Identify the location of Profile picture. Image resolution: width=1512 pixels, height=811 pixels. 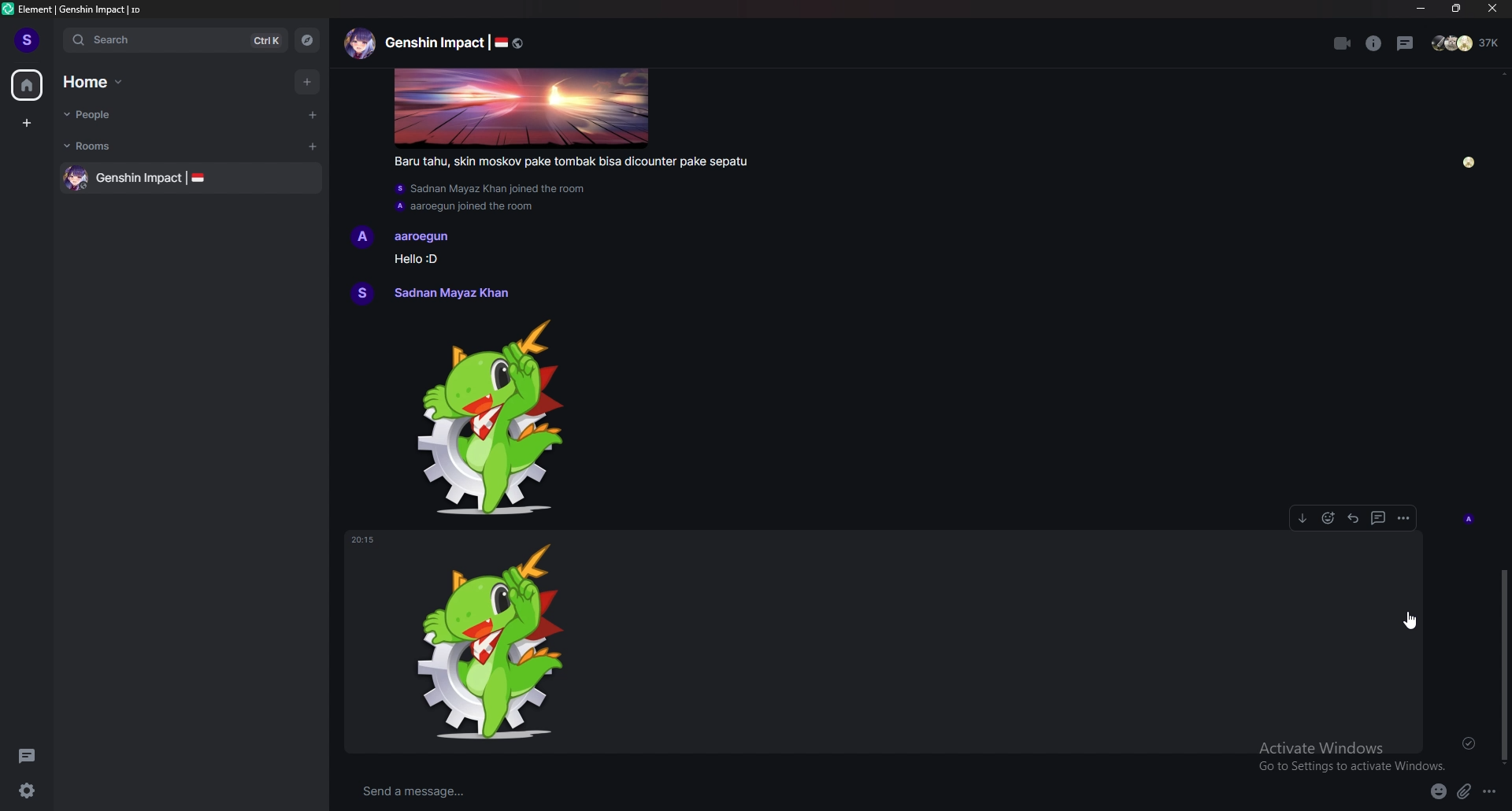
(363, 237).